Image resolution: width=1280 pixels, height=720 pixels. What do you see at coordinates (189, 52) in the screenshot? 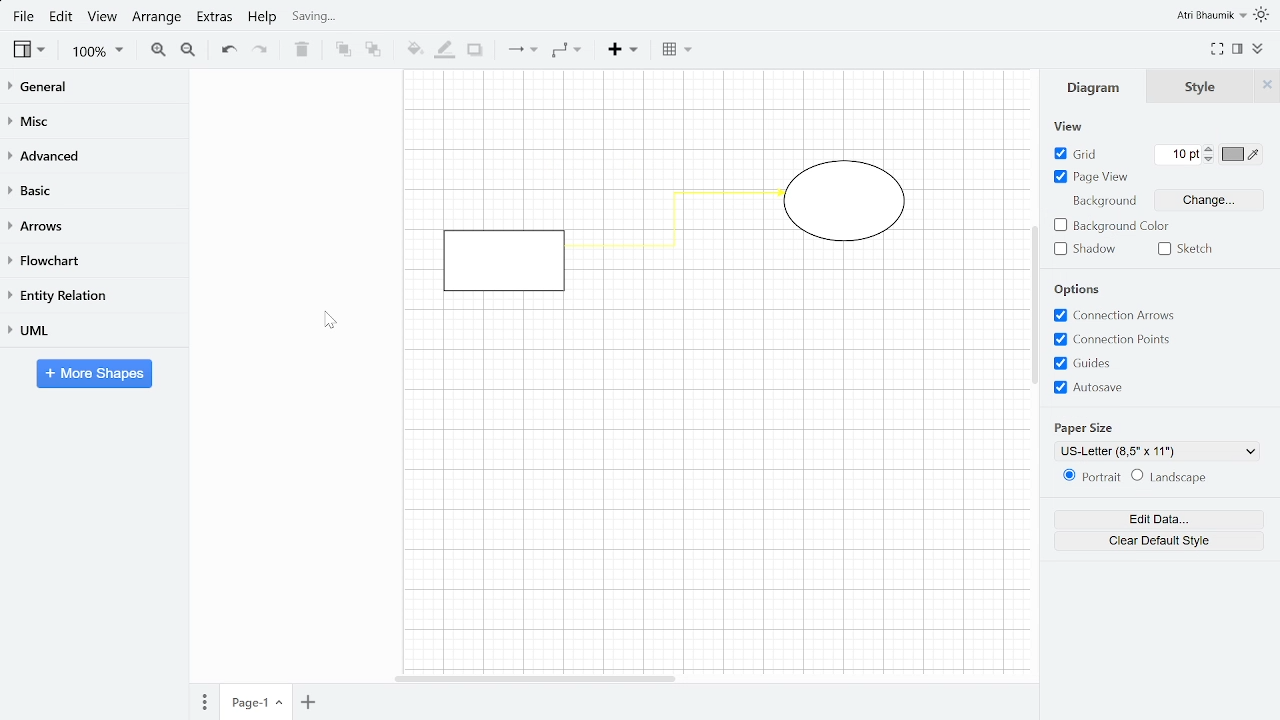
I see `Zoom out` at bounding box center [189, 52].